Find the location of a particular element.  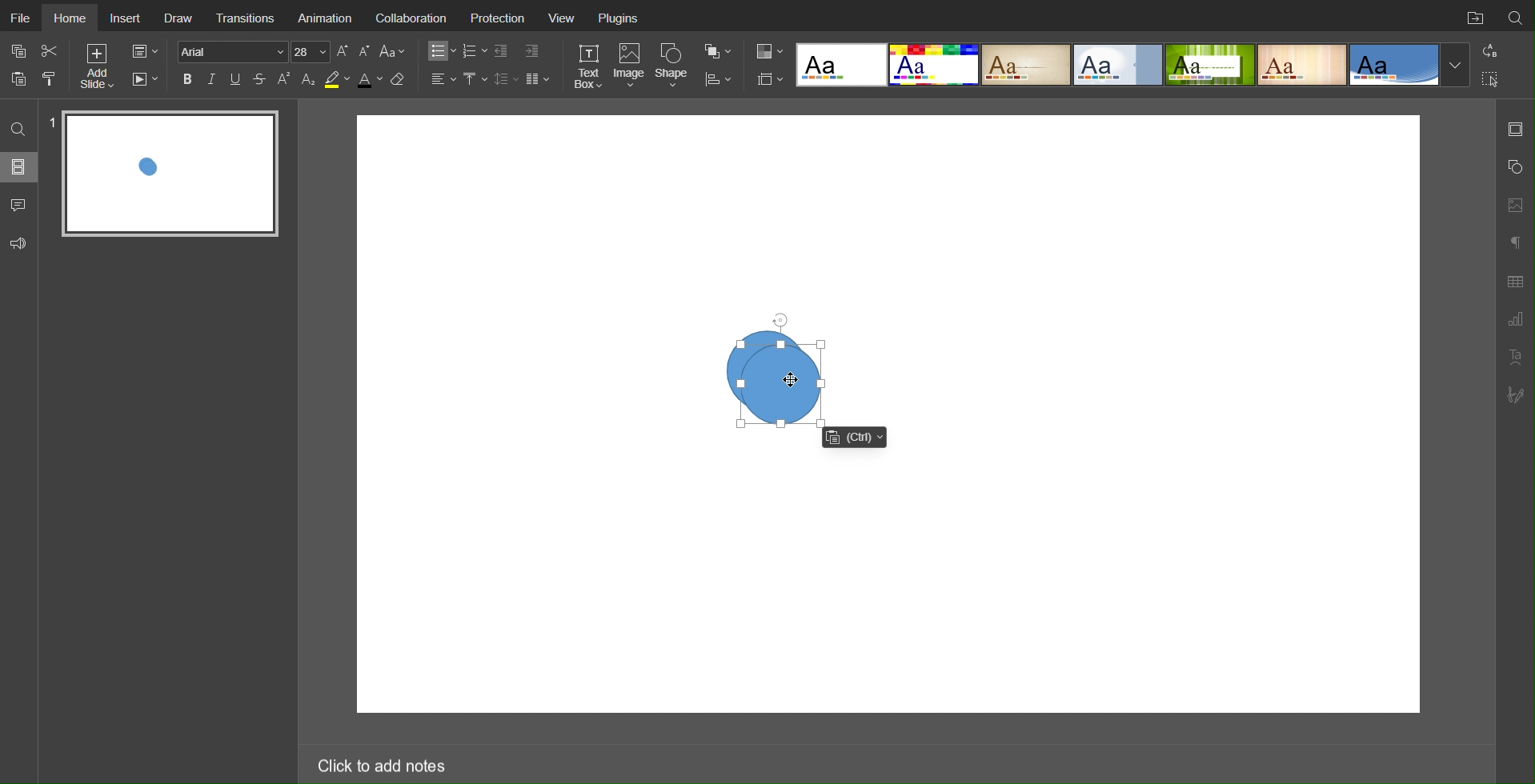

Open File Location is located at coordinates (1472, 16).